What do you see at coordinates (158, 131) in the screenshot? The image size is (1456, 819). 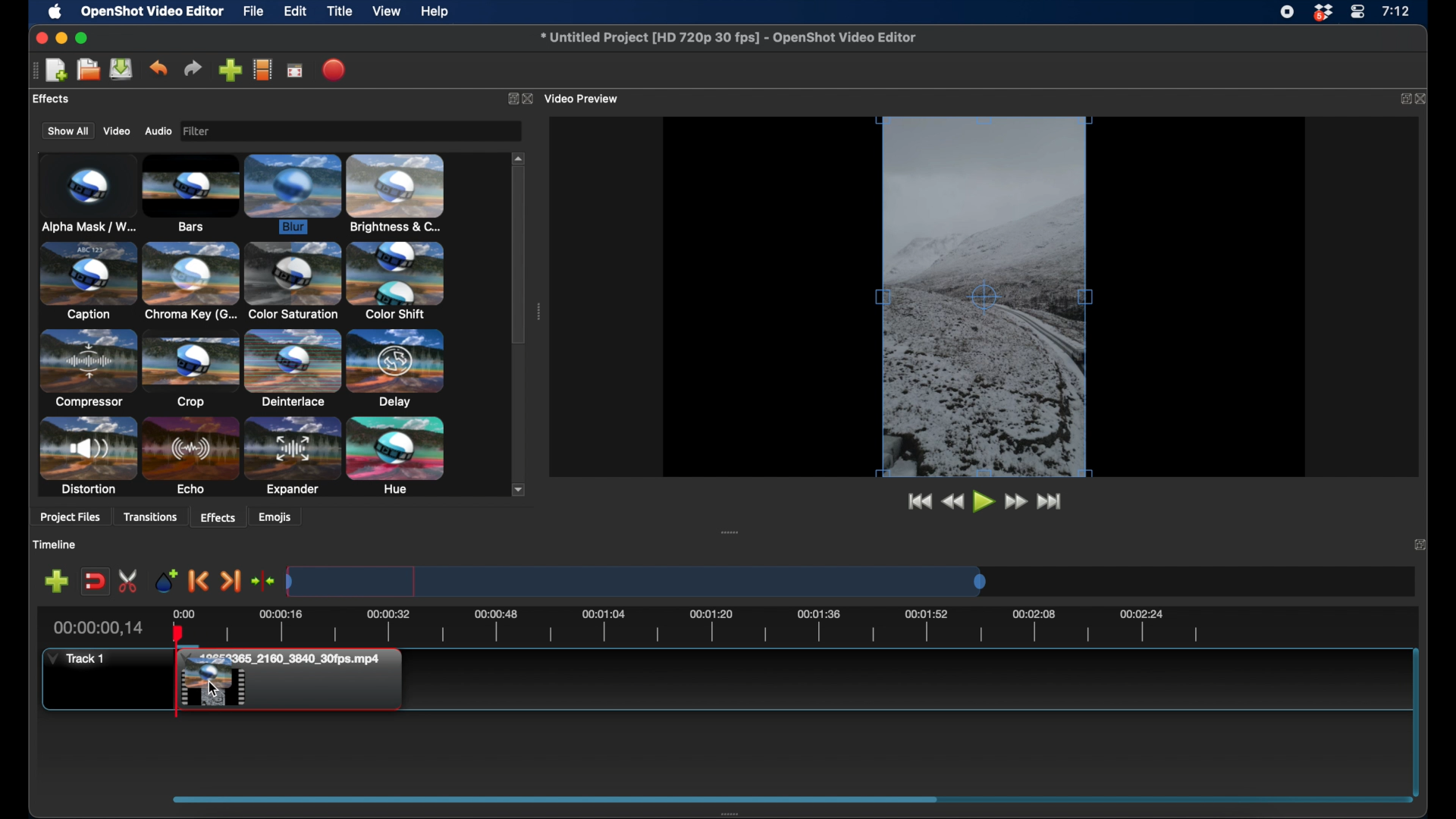 I see `audio` at bounding box center [158, 131].